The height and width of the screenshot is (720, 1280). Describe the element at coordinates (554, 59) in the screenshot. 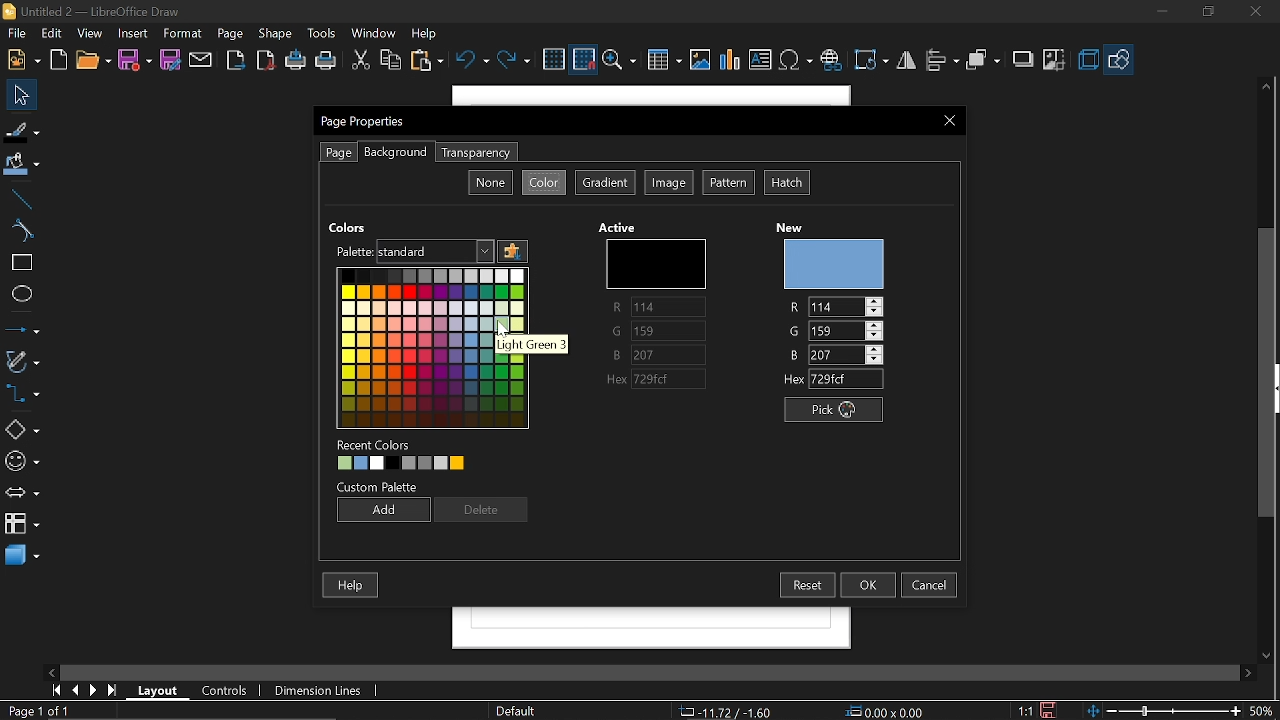

I see `grid` at that location.